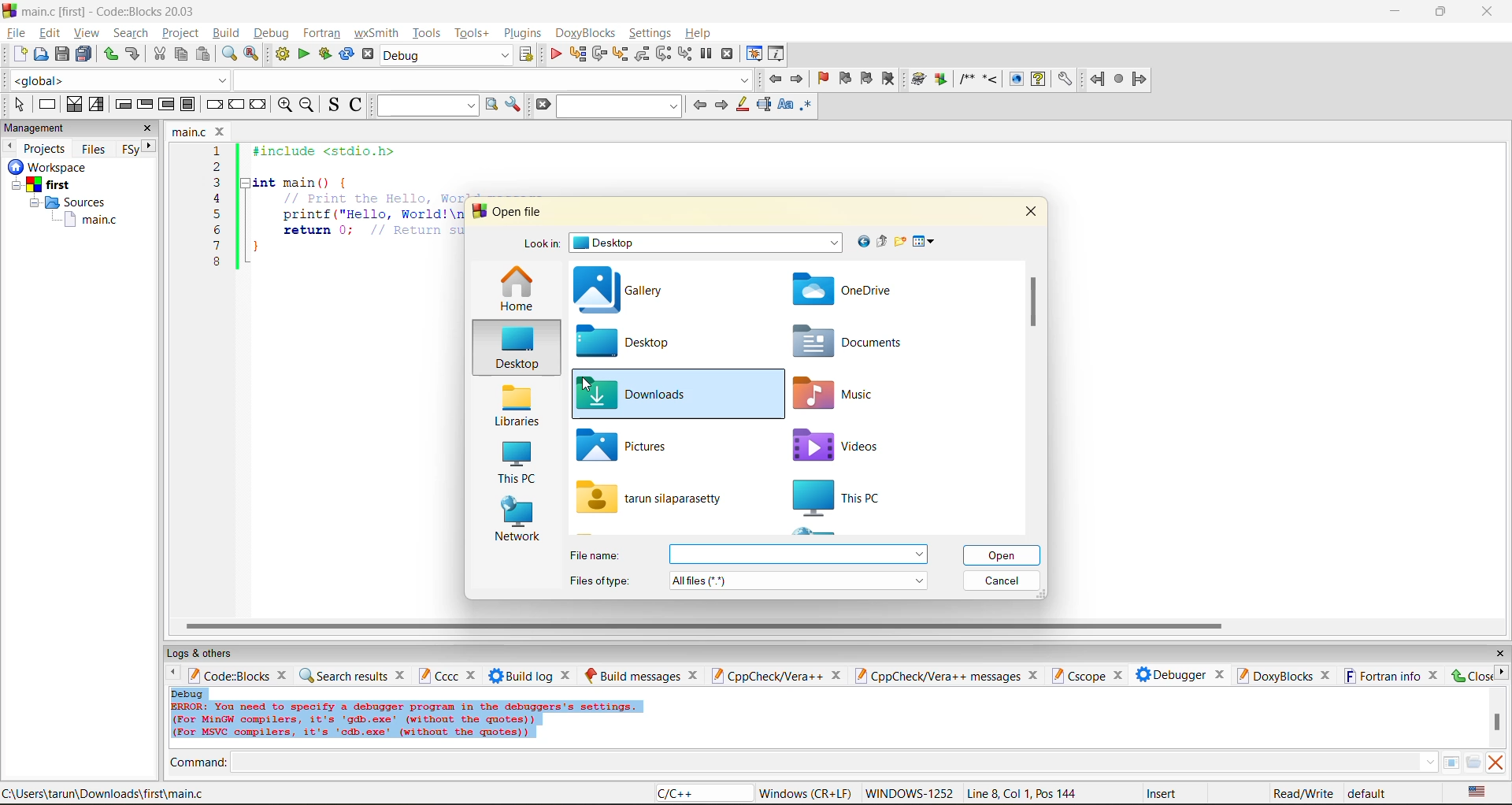 This screenshot has width=1512, height=805. Describe the element at coordinates (97, 105) in the screenshot. I see `selection` at that location.